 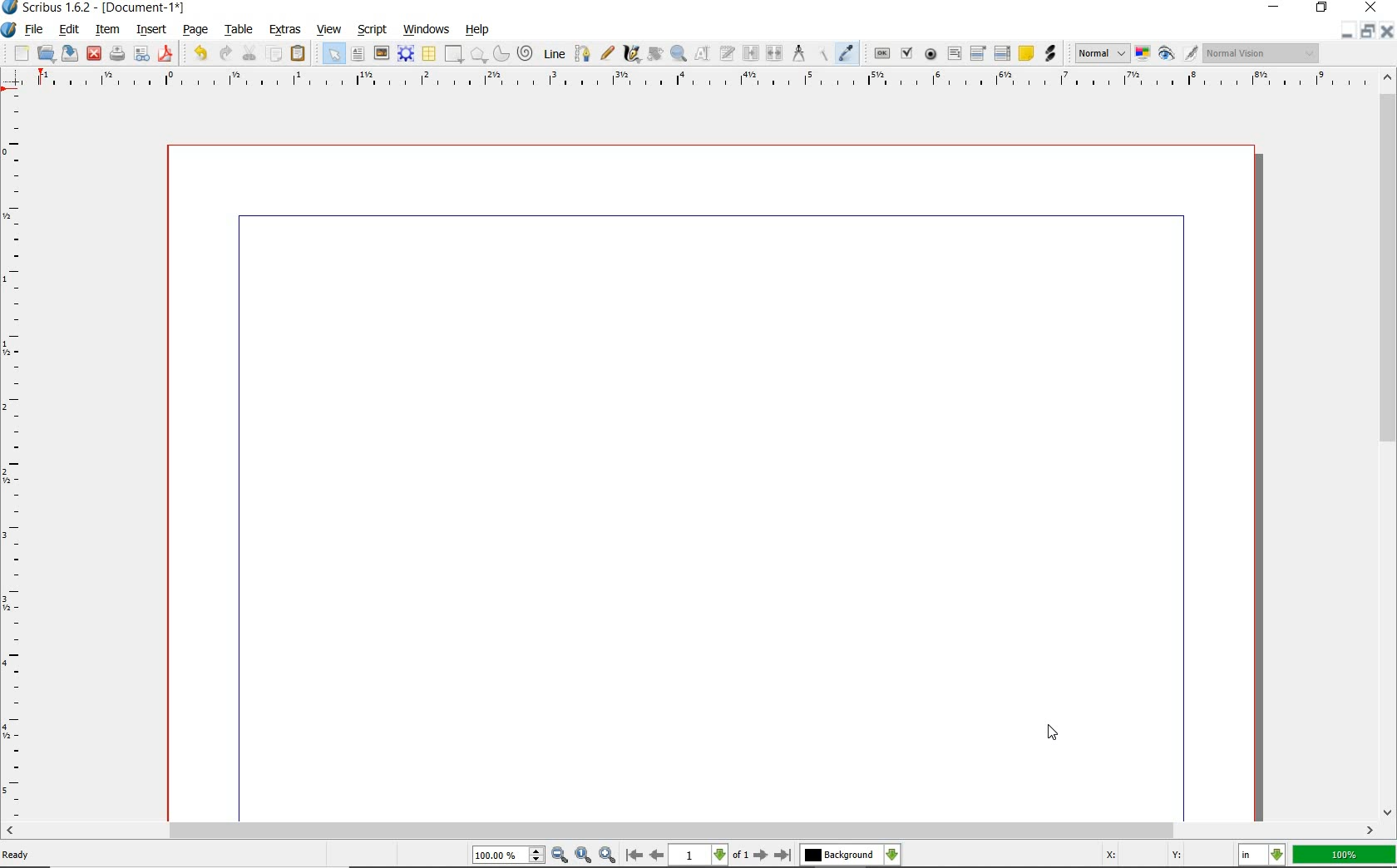 I want to click on text frame, so click(x=358, y=53).